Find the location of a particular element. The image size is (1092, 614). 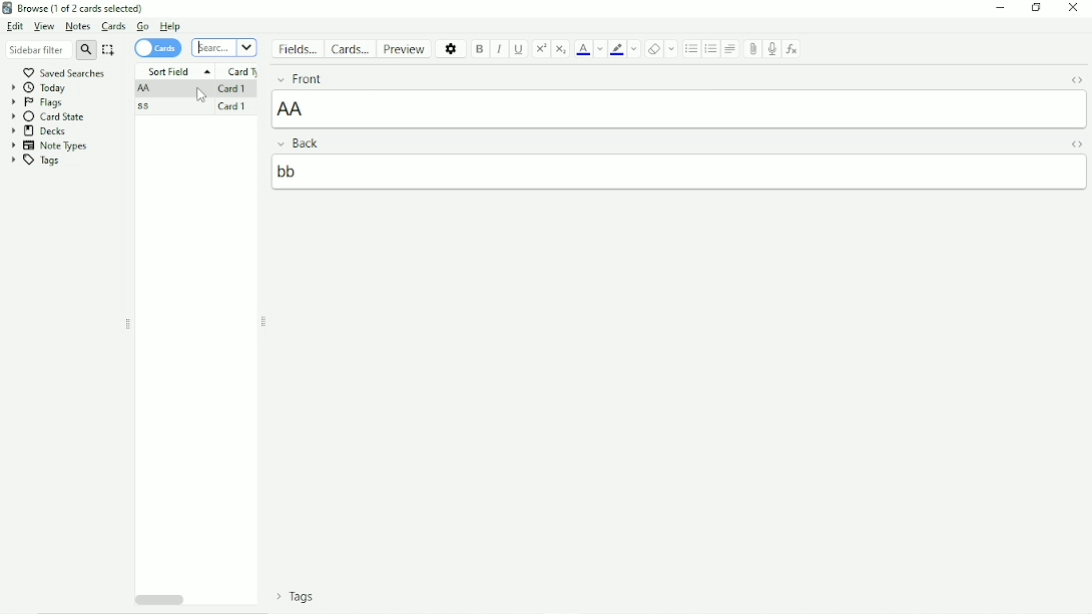

Minimize is located at coordinates (998, 10).